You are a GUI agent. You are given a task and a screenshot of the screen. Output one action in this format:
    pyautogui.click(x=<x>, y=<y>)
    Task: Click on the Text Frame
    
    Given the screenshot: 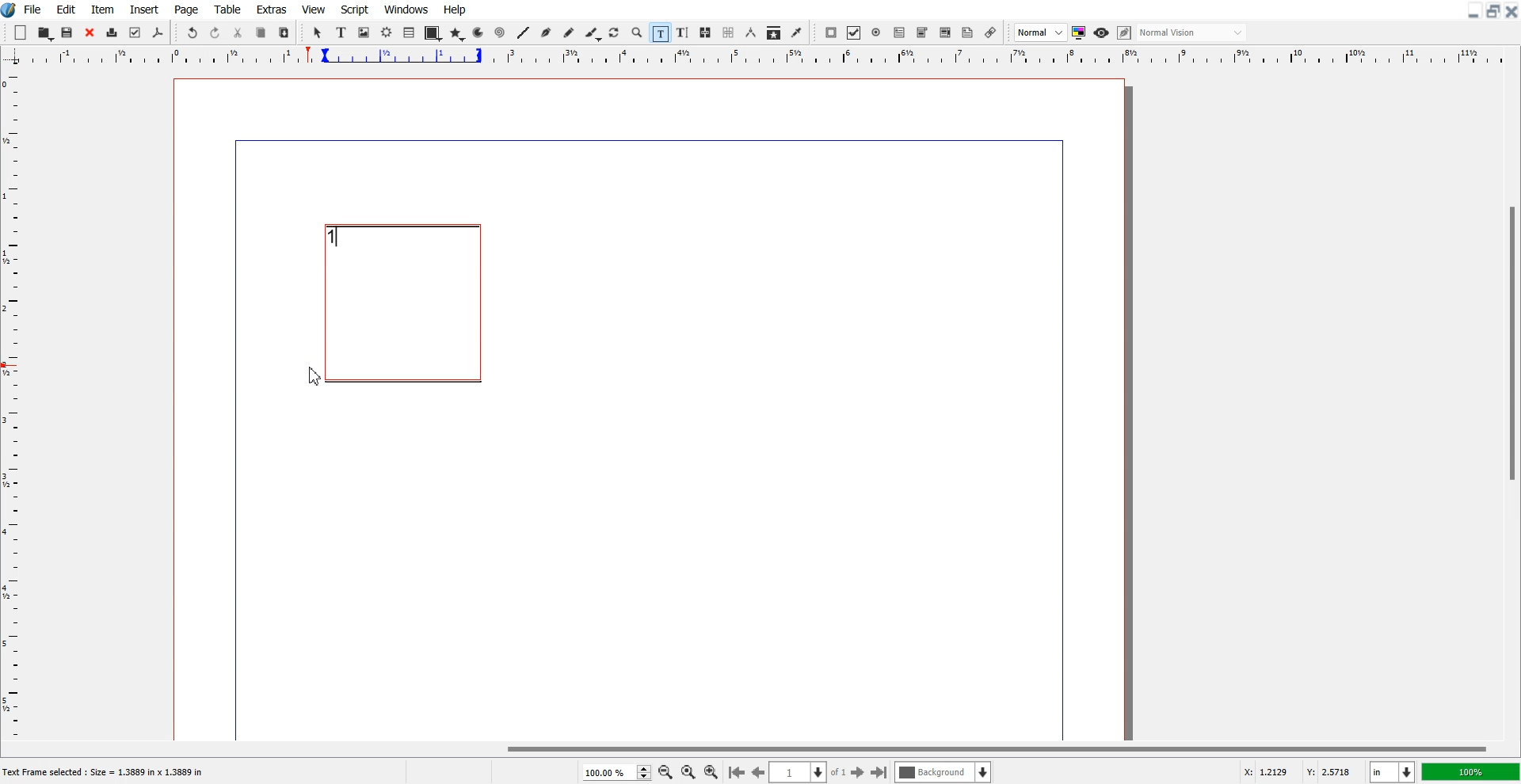 What is the action you would take?
    pyautogui.click(x=403, y=303)
    